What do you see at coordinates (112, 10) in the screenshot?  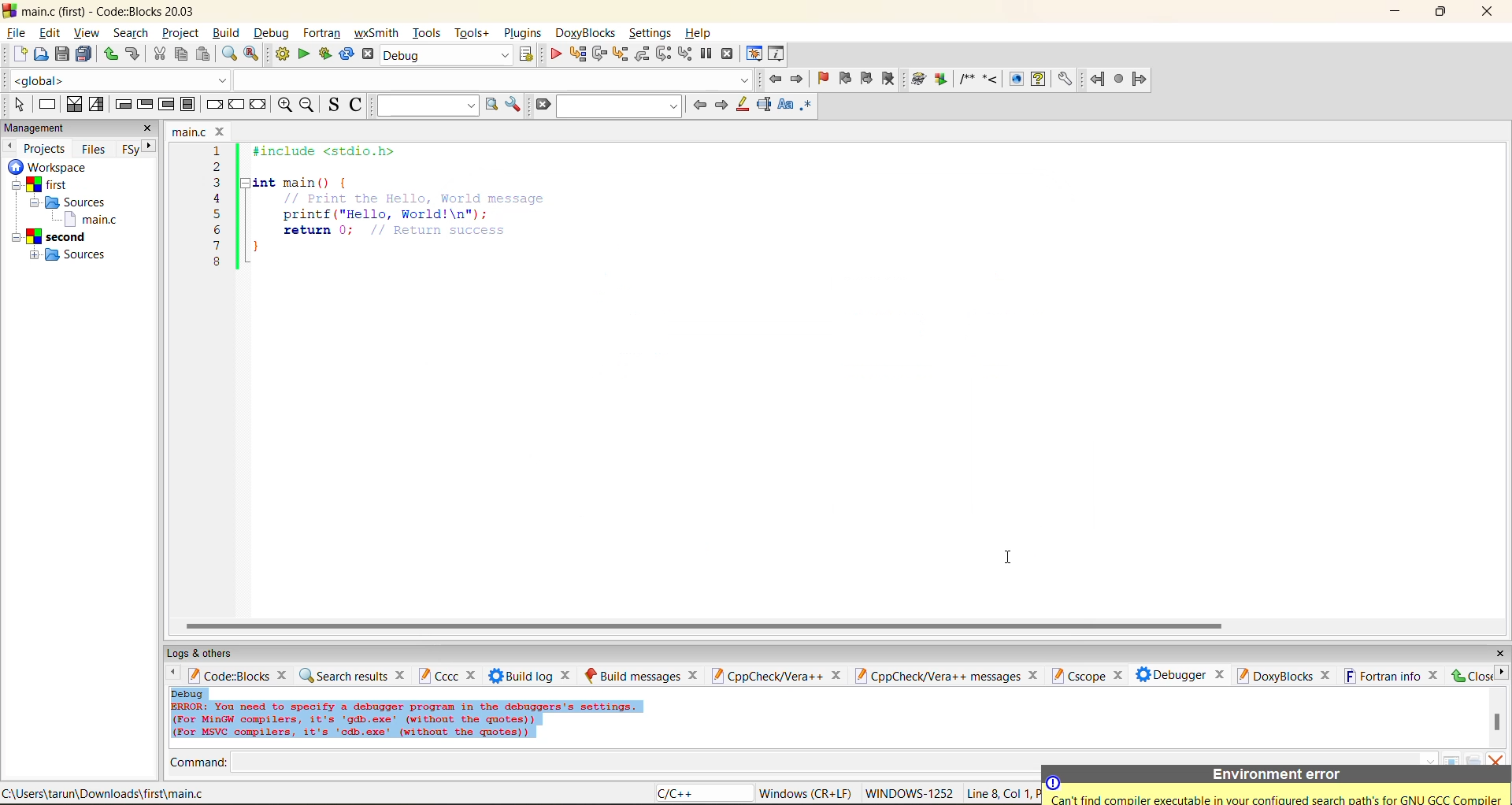 I see `app name and file name` at bounding box center [112, 10].